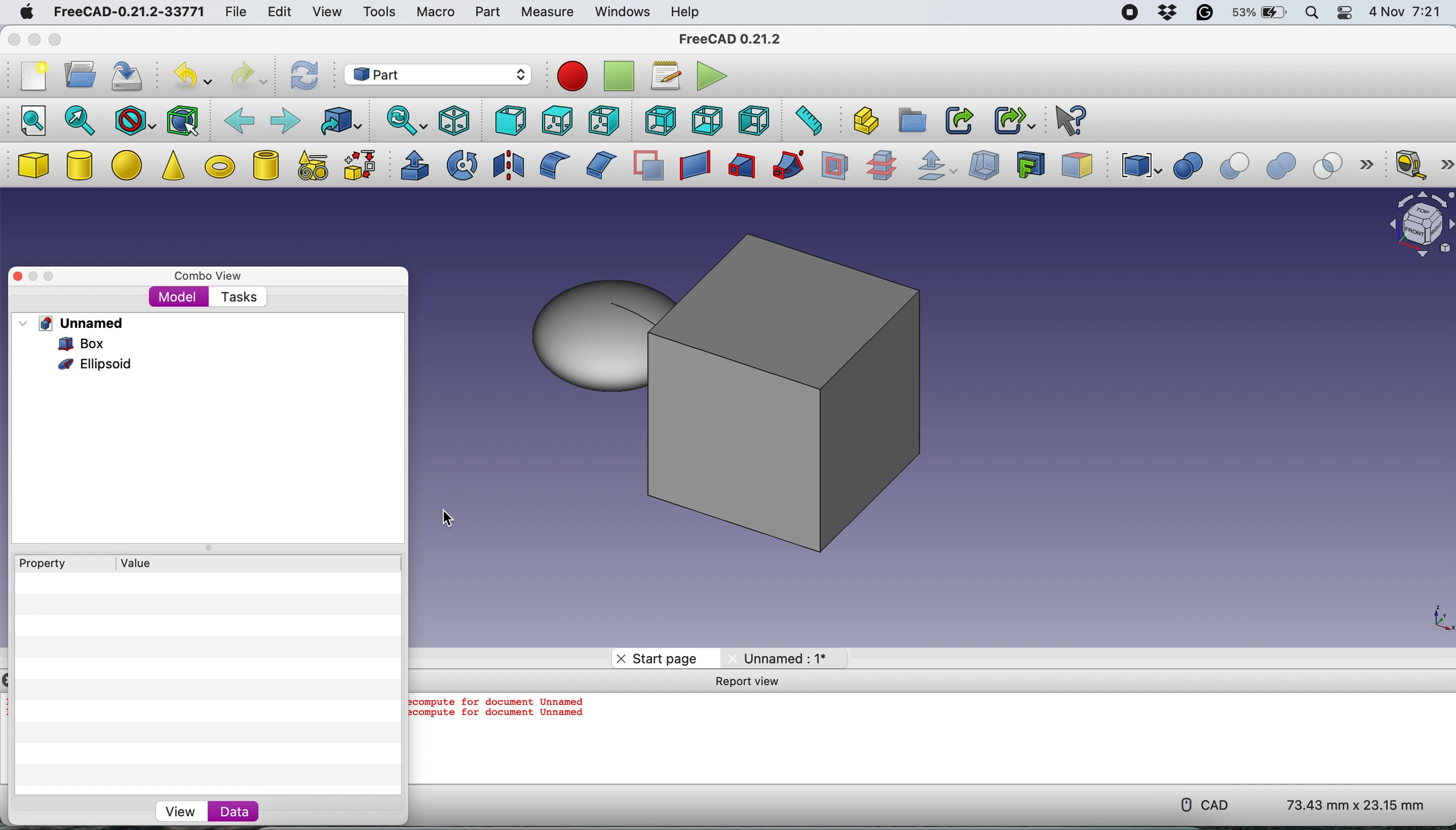 This screenshot has height=830, width=1456. What do you see at coordinates (309, 166) in the screenshot?
I see `create primitives` at bounding box center [309, 166].